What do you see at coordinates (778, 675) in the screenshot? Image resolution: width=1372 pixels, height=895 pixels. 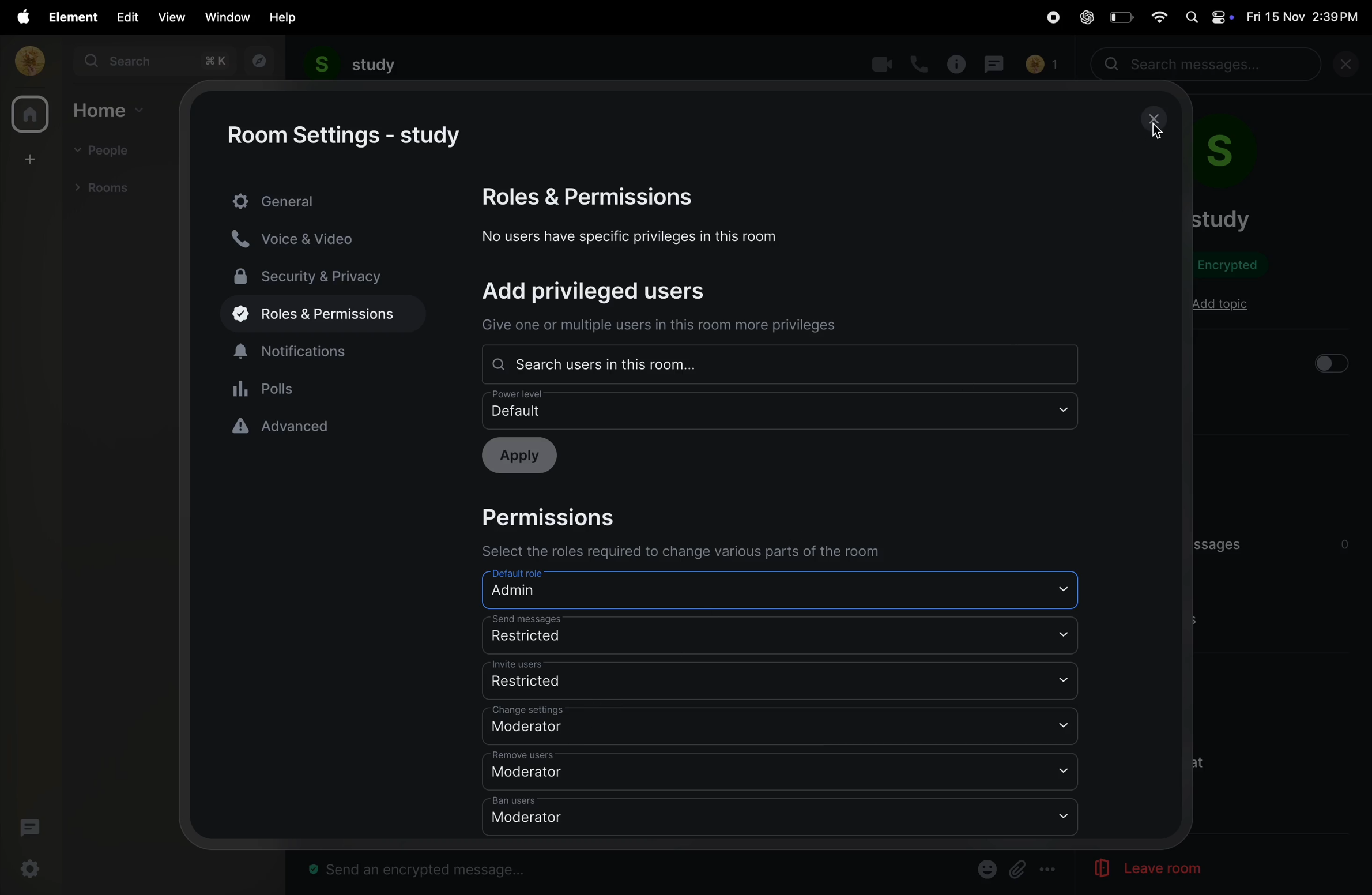 I see `invite users` at bounding box center [778, 675].